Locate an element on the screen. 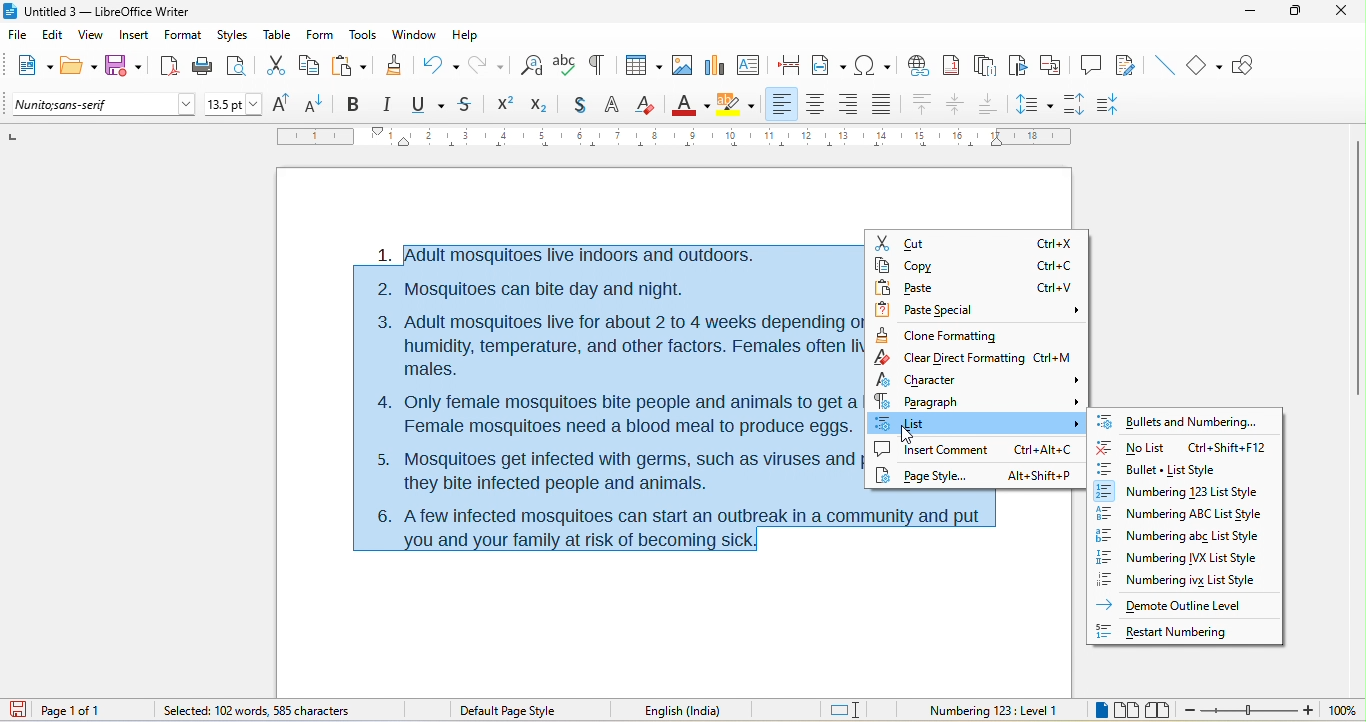 This screenshot has height=722, width=1366. justified is located at coordinates (882, 107).